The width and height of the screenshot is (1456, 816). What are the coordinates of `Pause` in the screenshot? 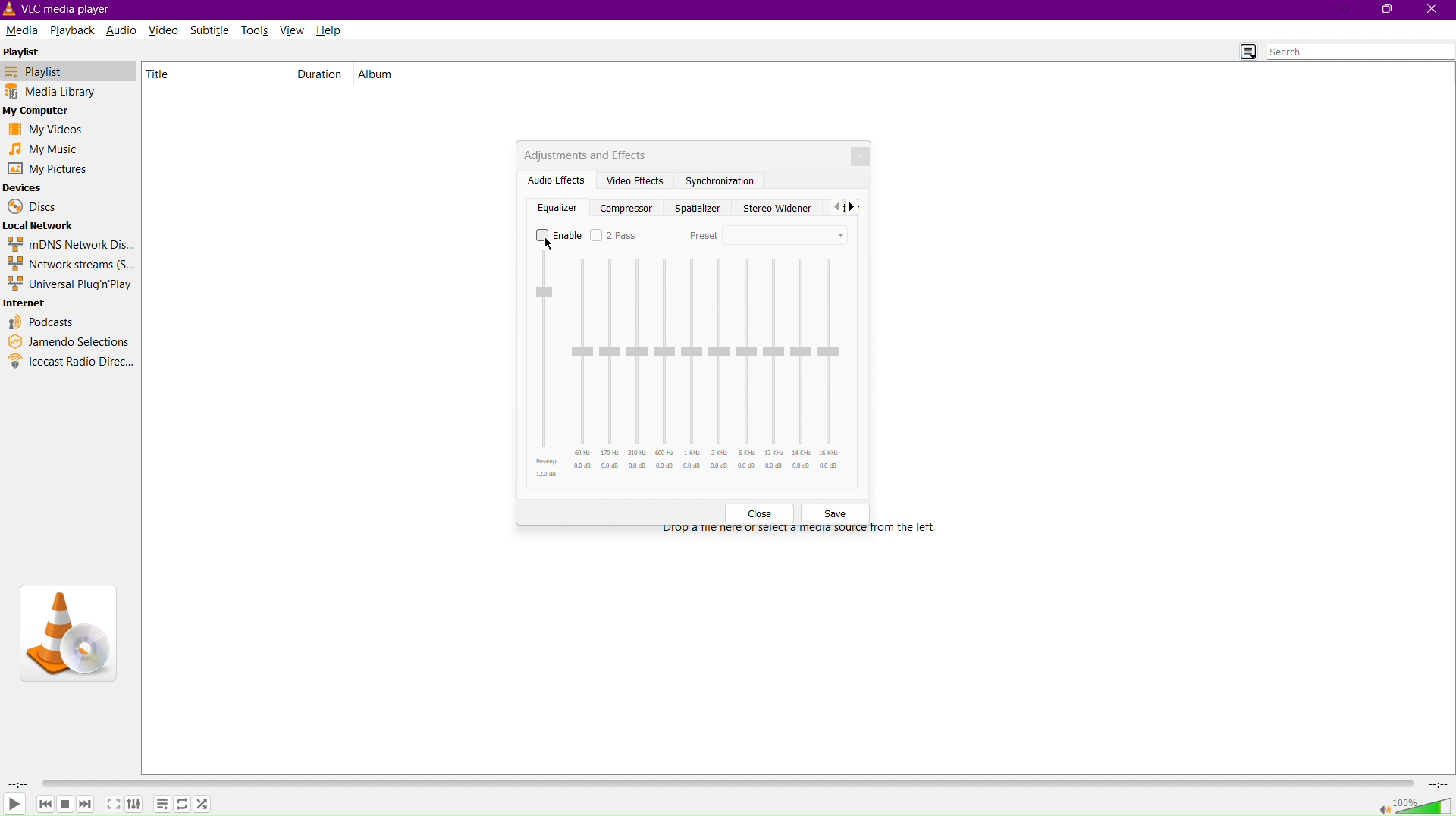 It's located at (65, 802).